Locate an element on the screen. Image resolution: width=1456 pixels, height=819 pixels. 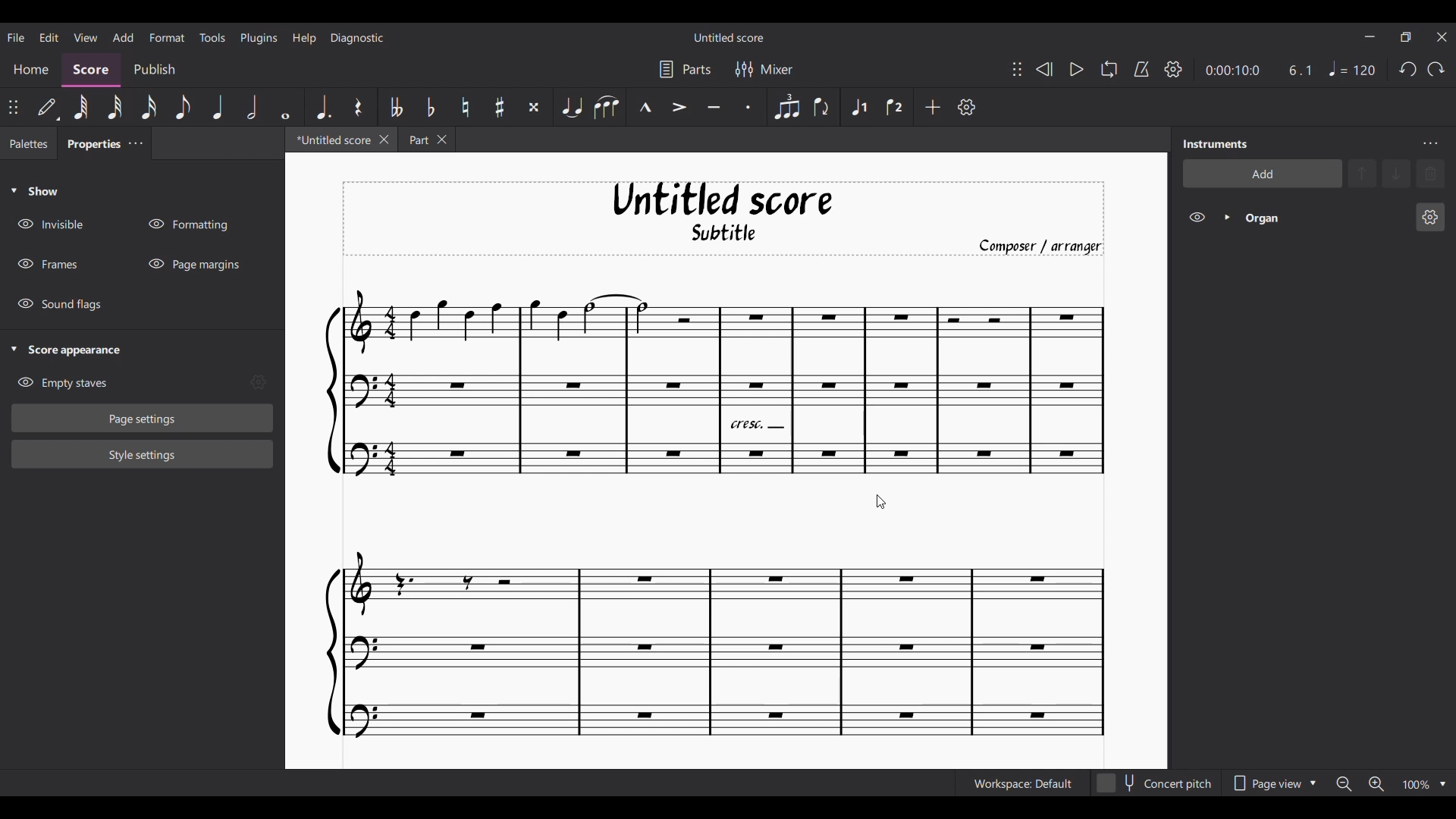
Accent is located at coordinates (679, 107).